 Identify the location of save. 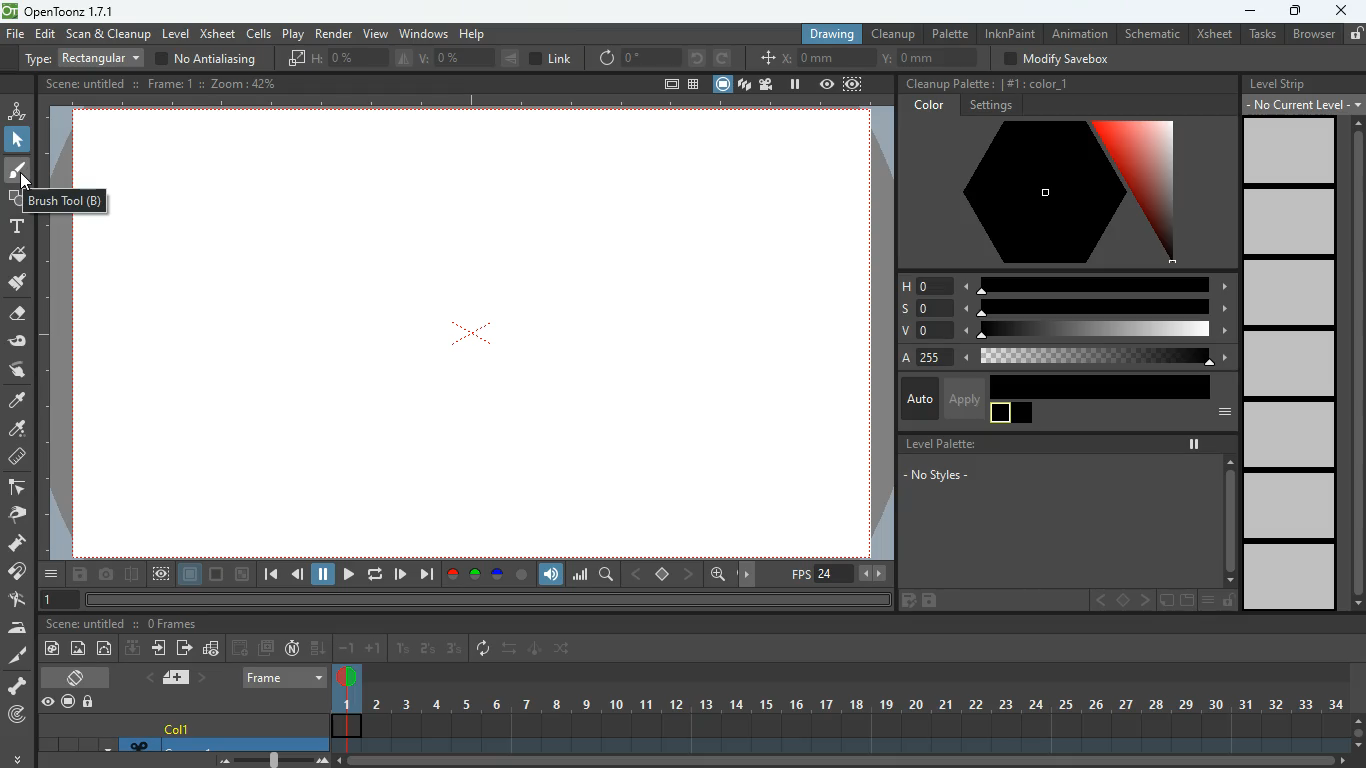
(933, 601).